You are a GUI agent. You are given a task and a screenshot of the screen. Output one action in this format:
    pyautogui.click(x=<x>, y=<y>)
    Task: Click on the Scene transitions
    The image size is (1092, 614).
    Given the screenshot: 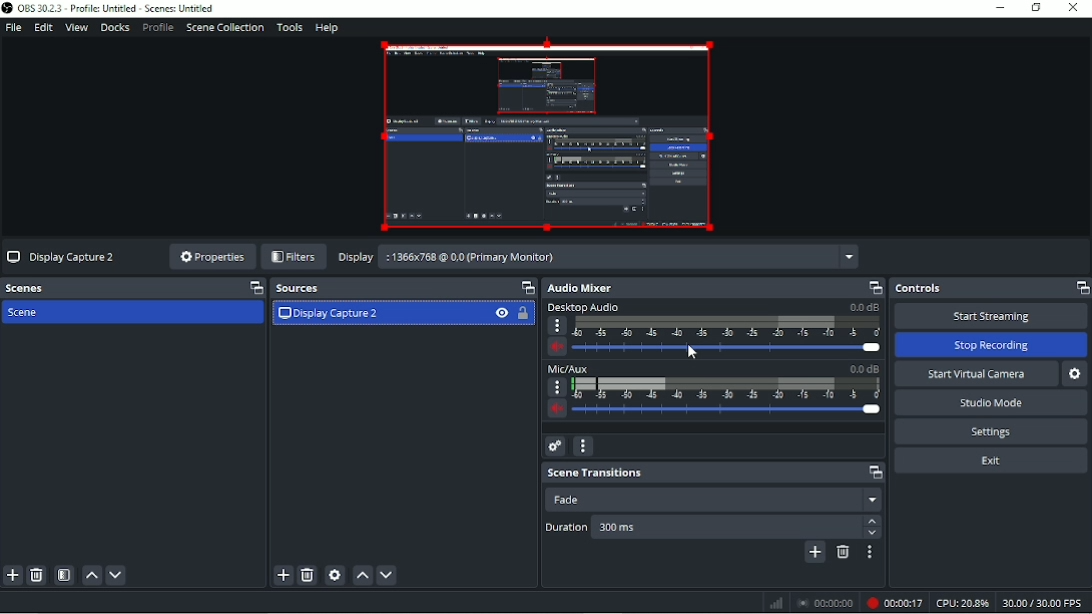 What is the action you would take?
    pyautogui.click(x=714, y=473)
    